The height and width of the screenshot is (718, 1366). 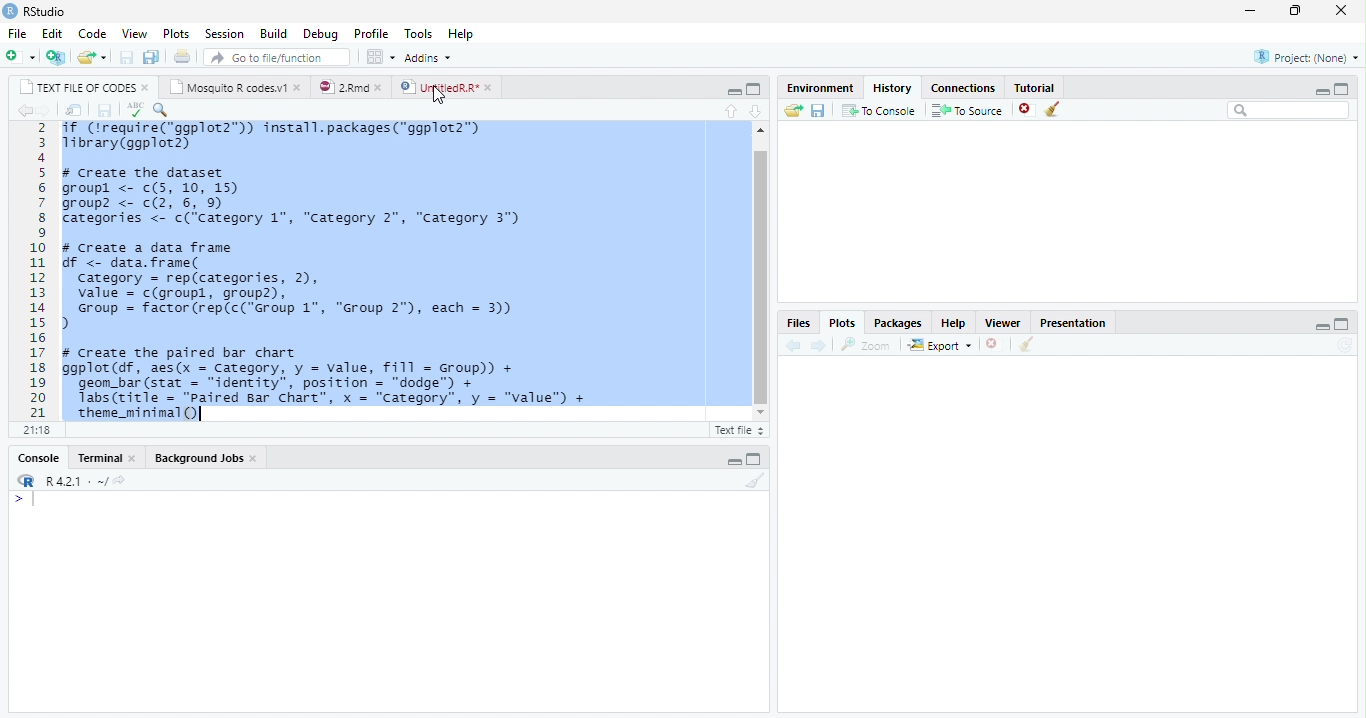 I want to click on go to next section, so click(x=757, y=111).